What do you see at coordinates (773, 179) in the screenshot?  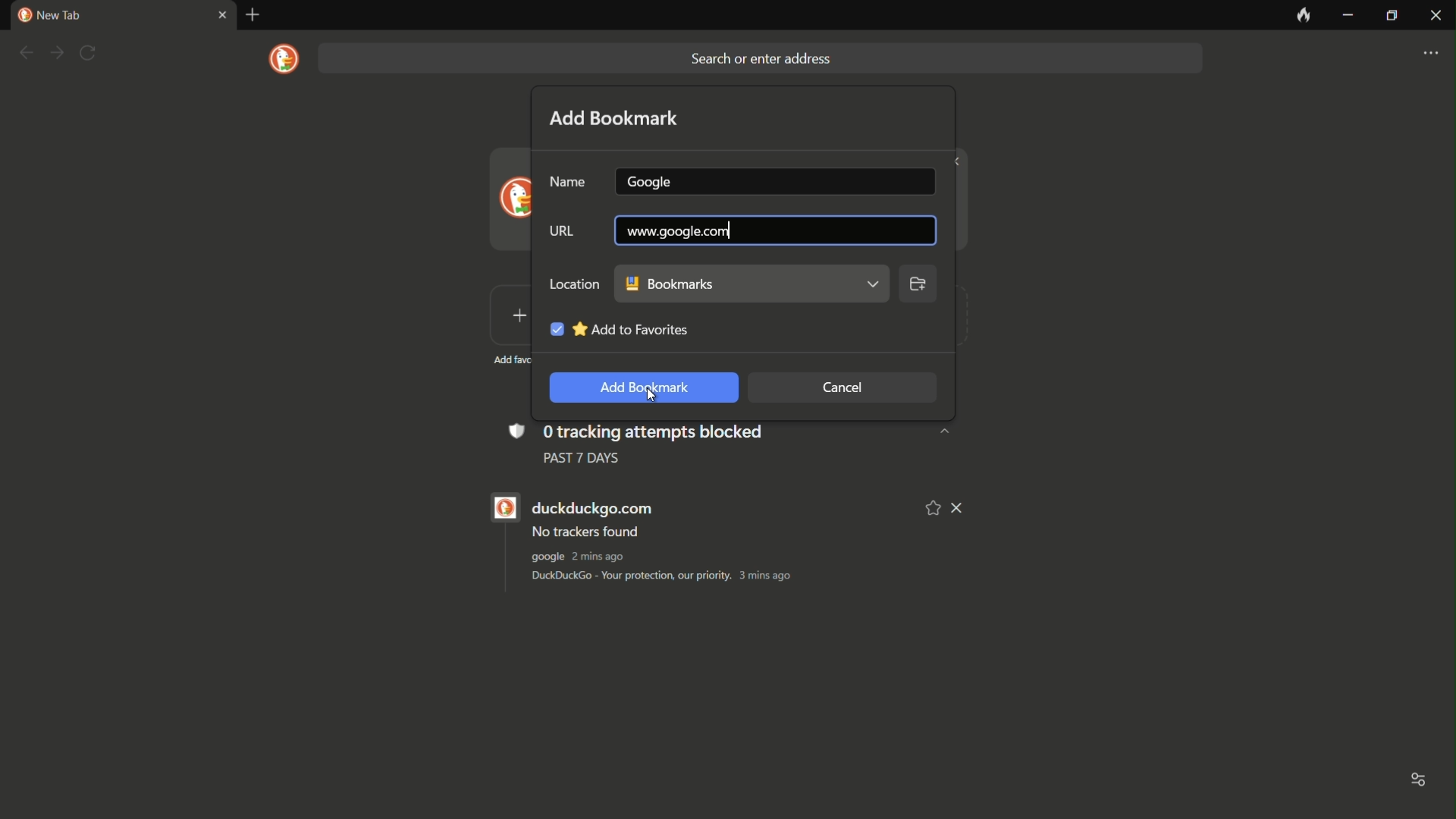 I see `name bar` at bounding box center [773, 179].